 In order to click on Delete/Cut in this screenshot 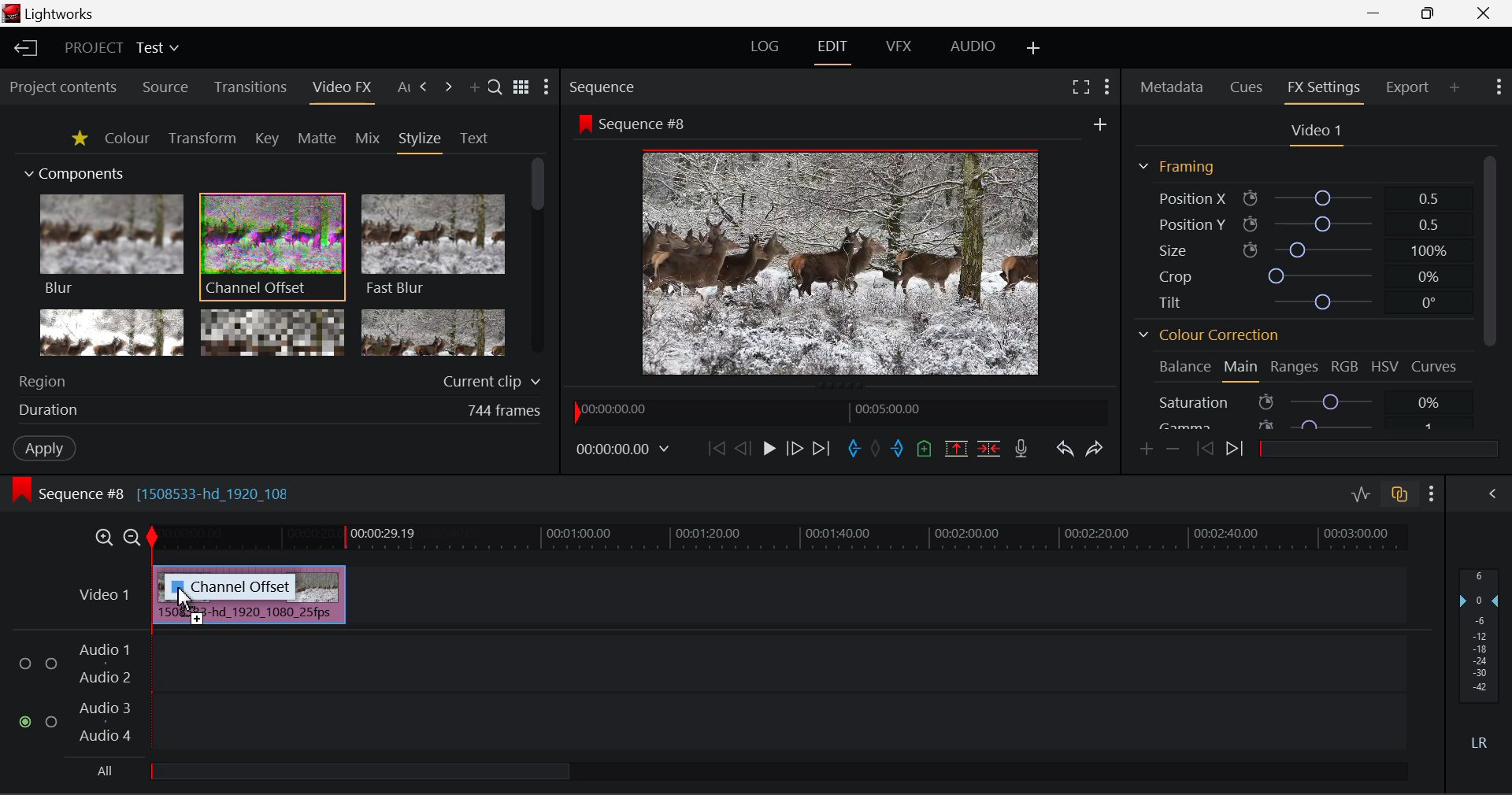, I will do `click(991, 449)`.